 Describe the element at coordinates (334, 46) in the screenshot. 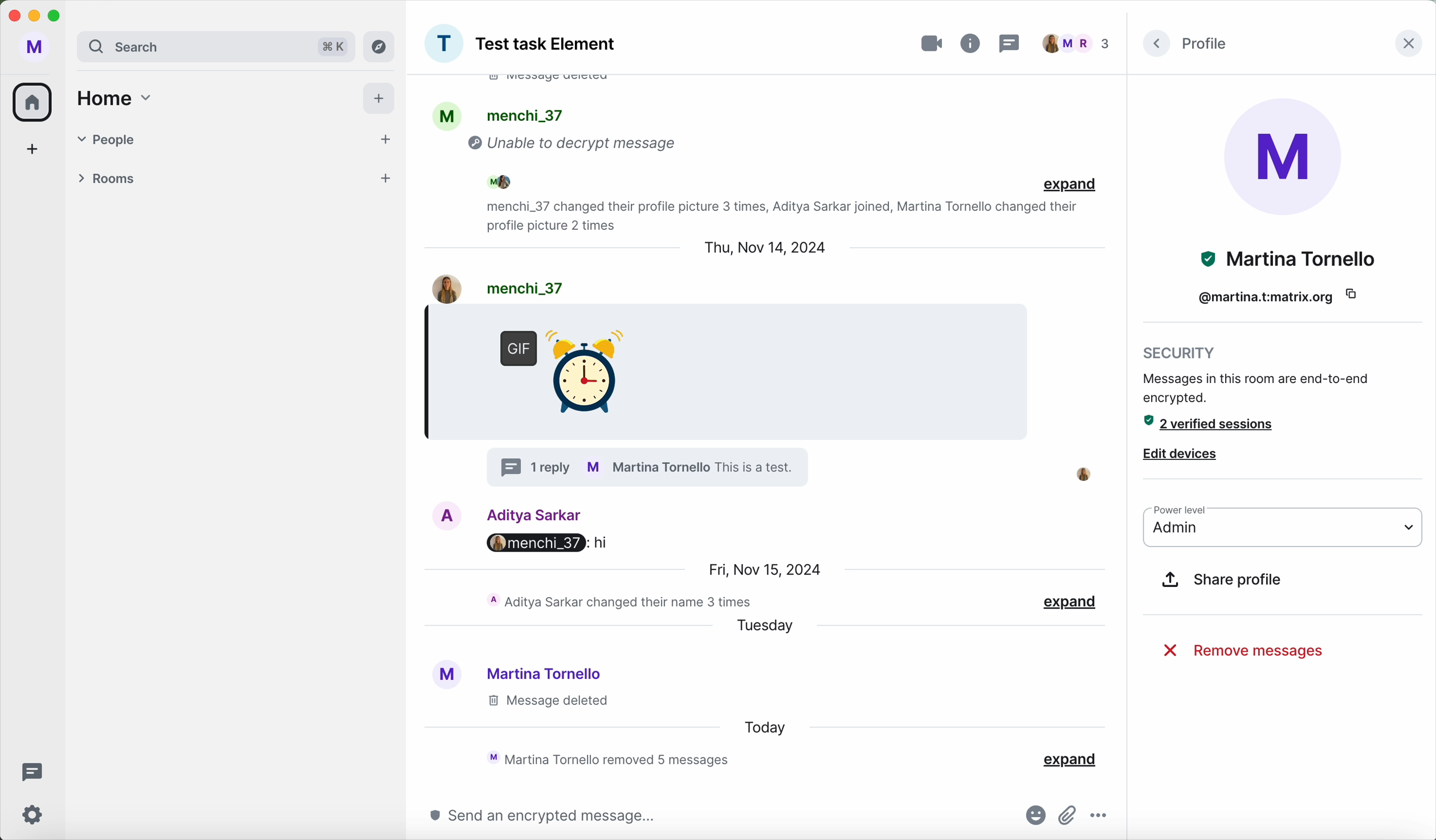

I see `shortcut` at that location.